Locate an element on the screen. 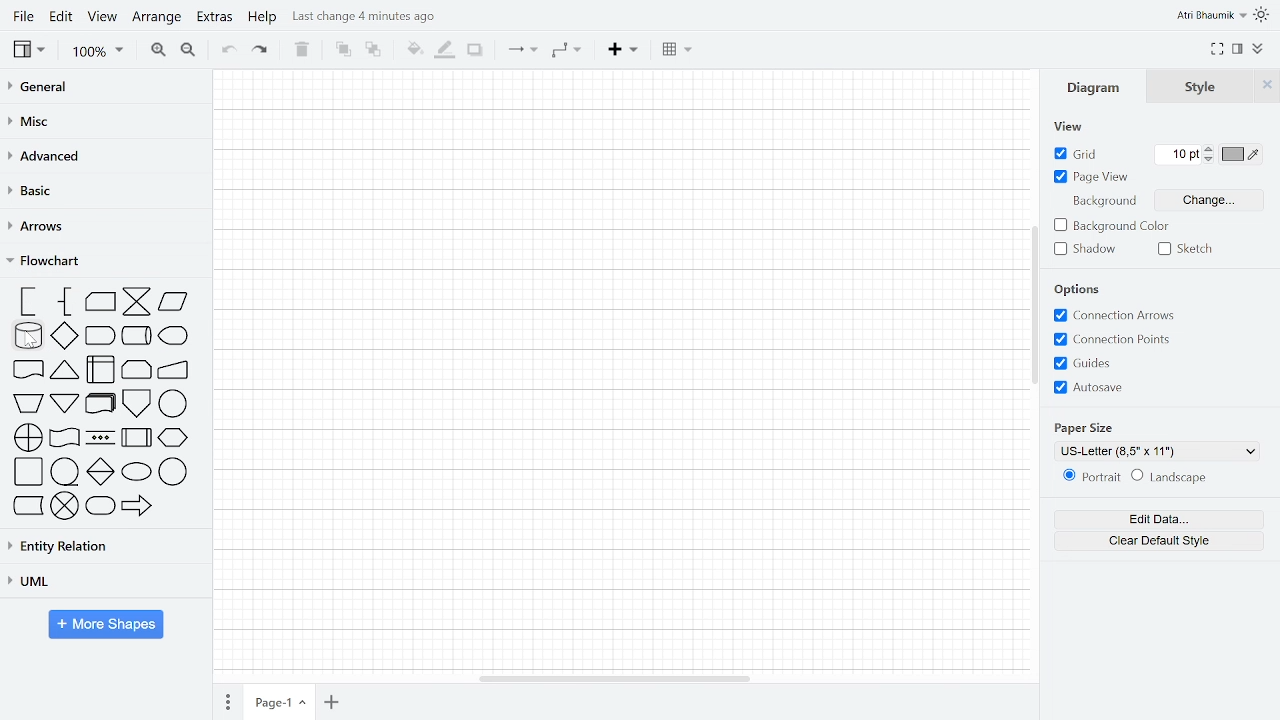 Image resolution: width=1280 pixels, height=720 pixels. Guides is located at coordinates (1084, 363).